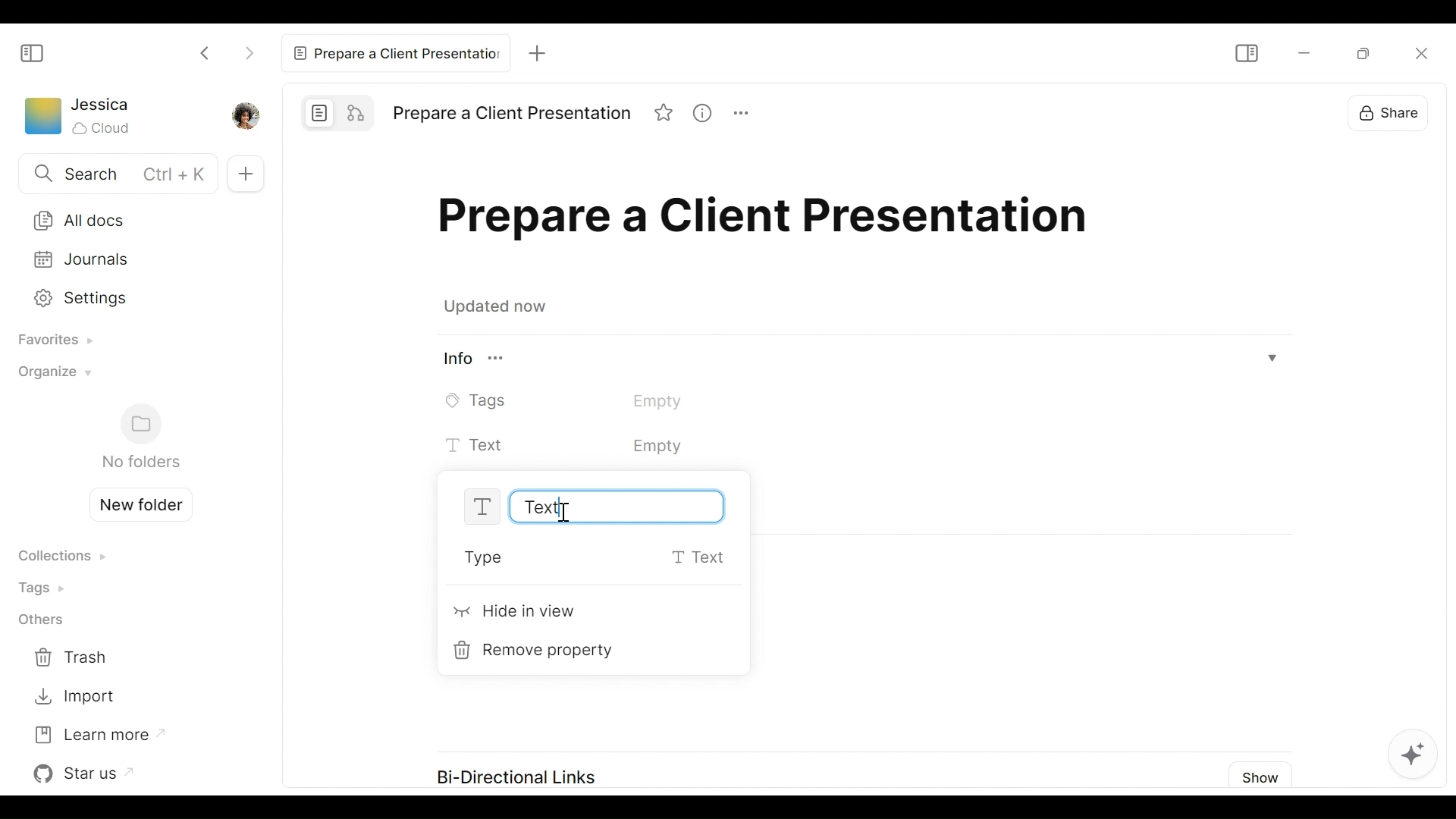 The height and width of the screenshot is (819, 1456). I want to click on Text, so click(598, 507).